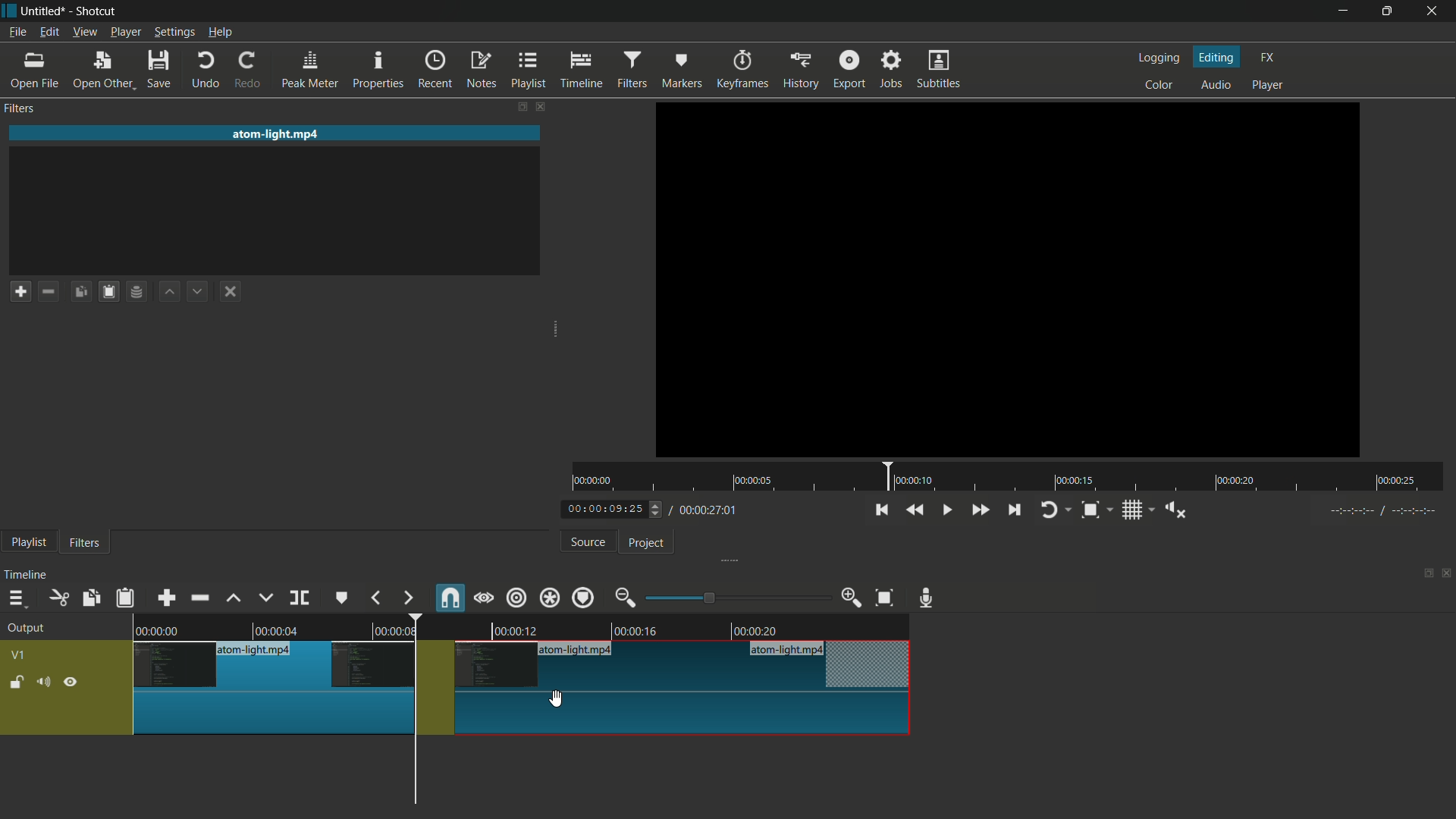 The height and width of the screenshot is (819, 1456). What do you see at coordinates (17, 683) in the screenshot?
I see `lock` at bounding box center [17, 683].